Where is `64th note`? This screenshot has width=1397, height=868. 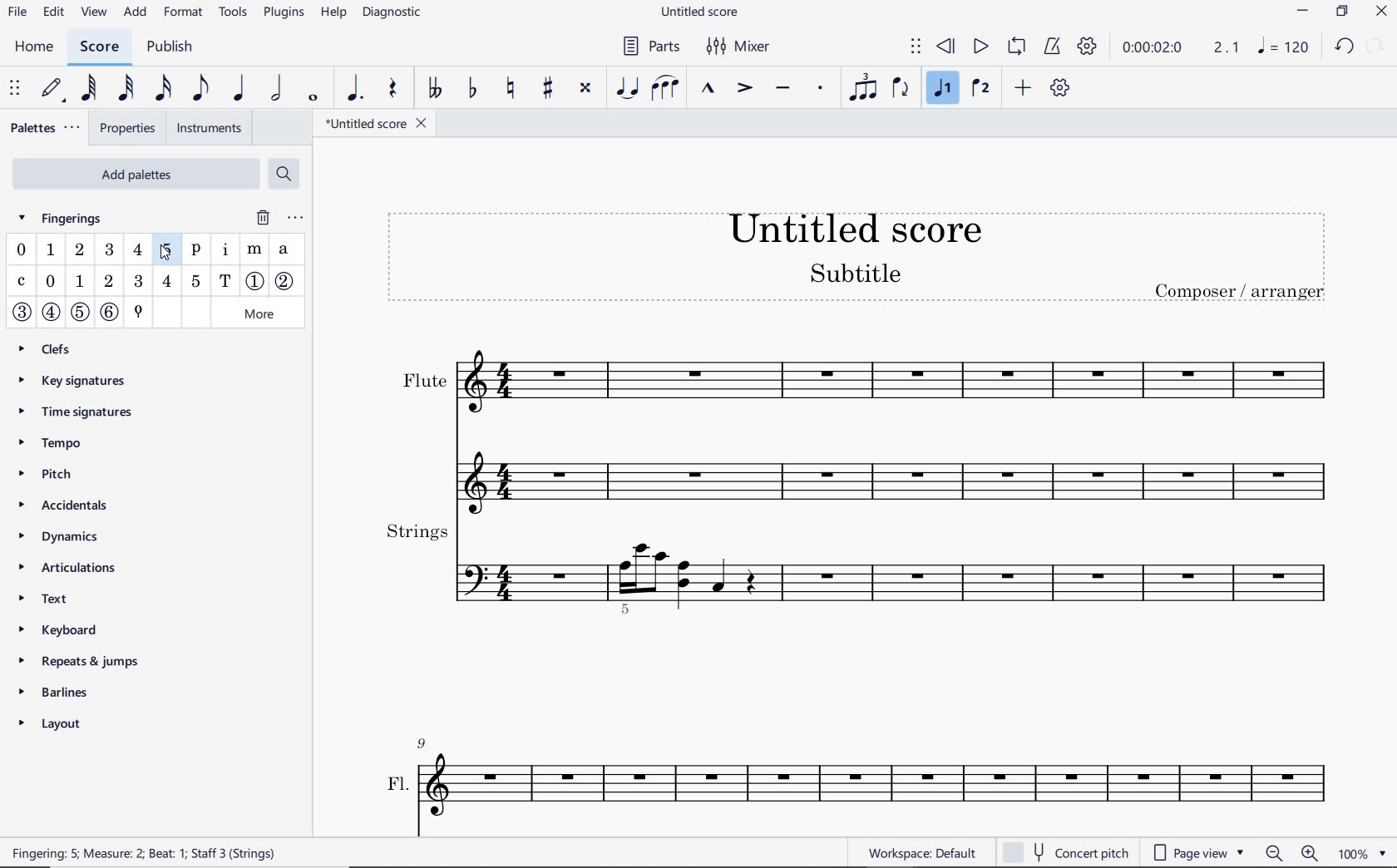
64th note is located at coordinates (91, 86).